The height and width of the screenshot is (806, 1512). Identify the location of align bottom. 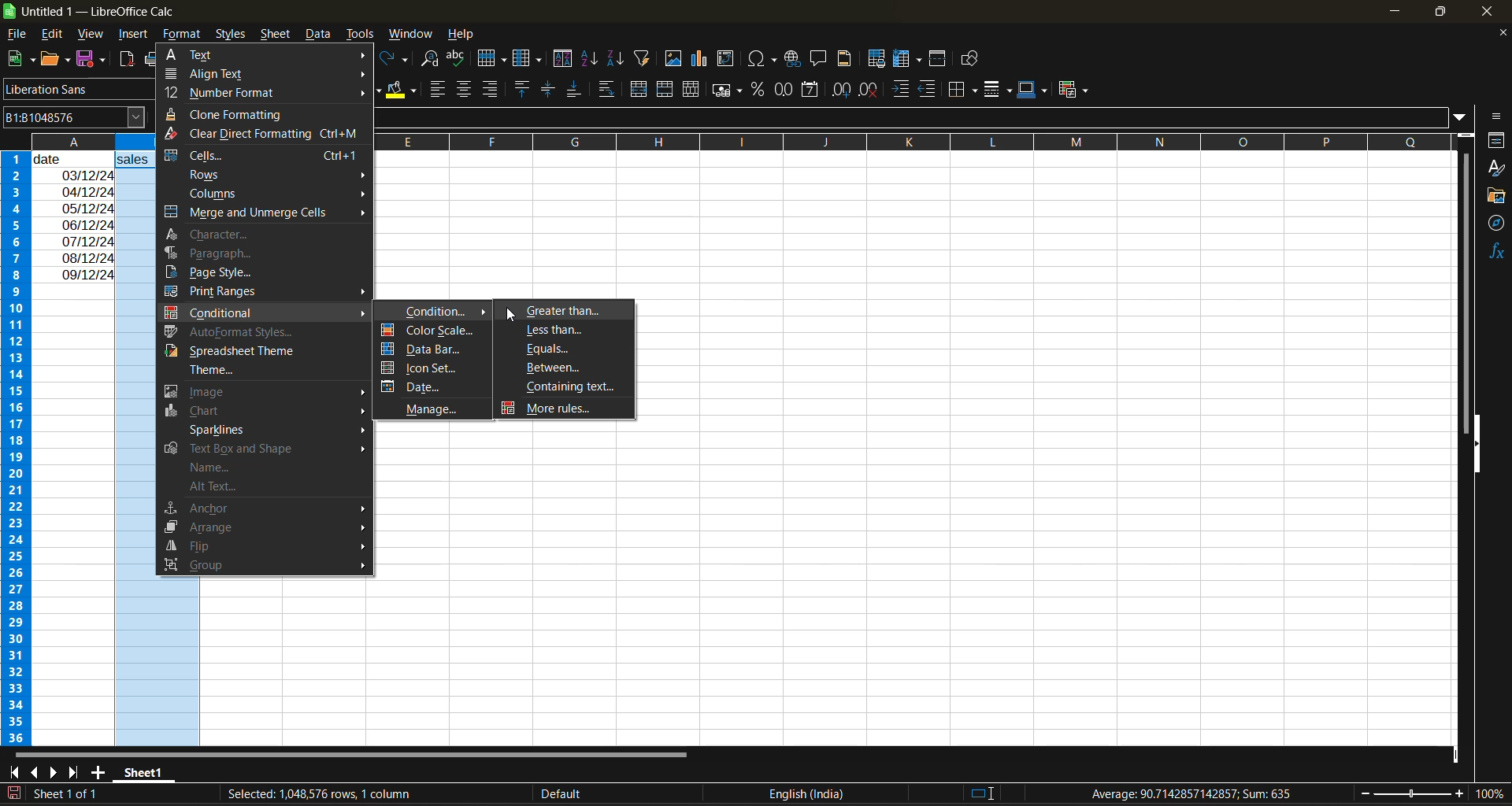
(572, 91).